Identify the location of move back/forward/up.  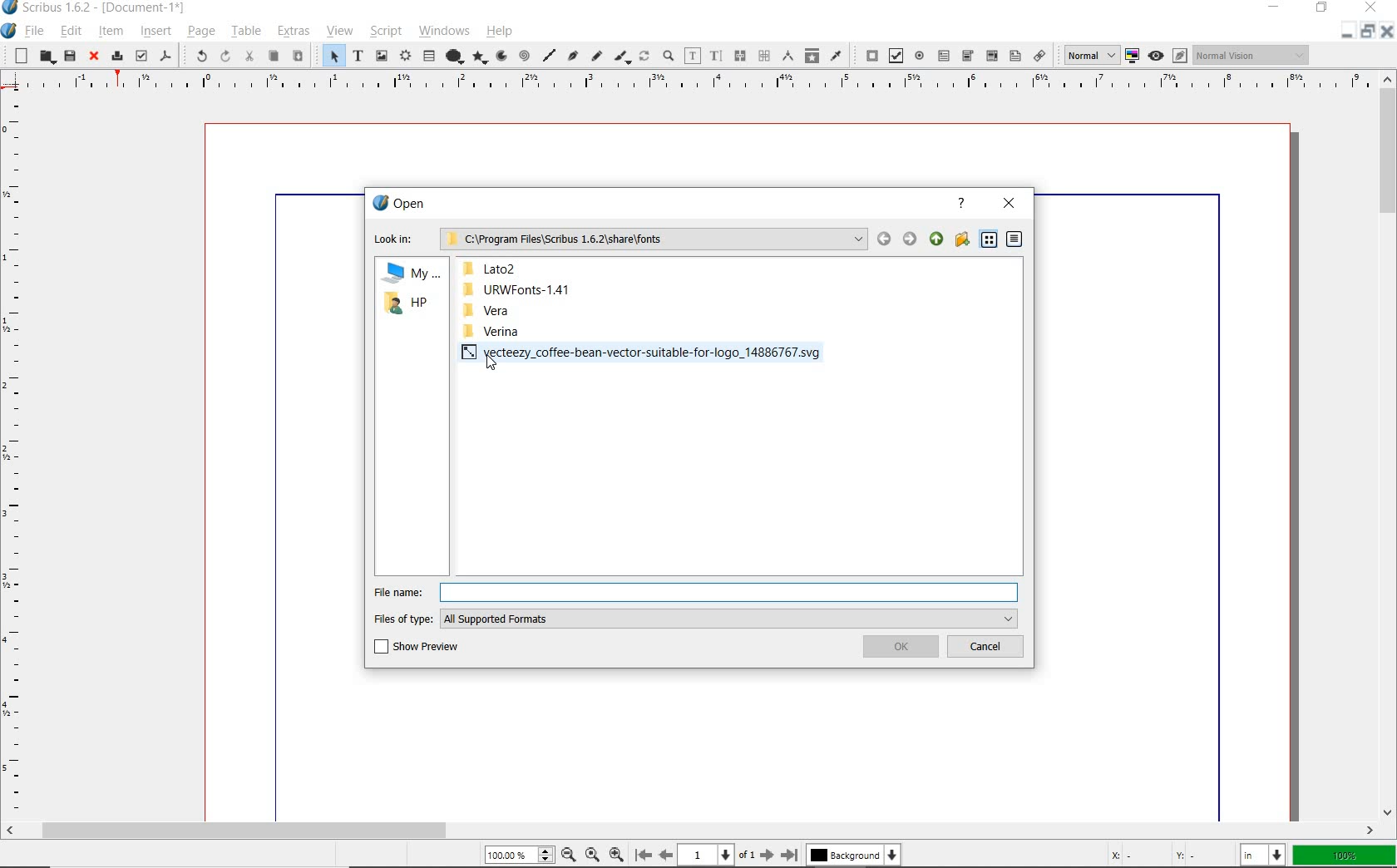
(909, 238).